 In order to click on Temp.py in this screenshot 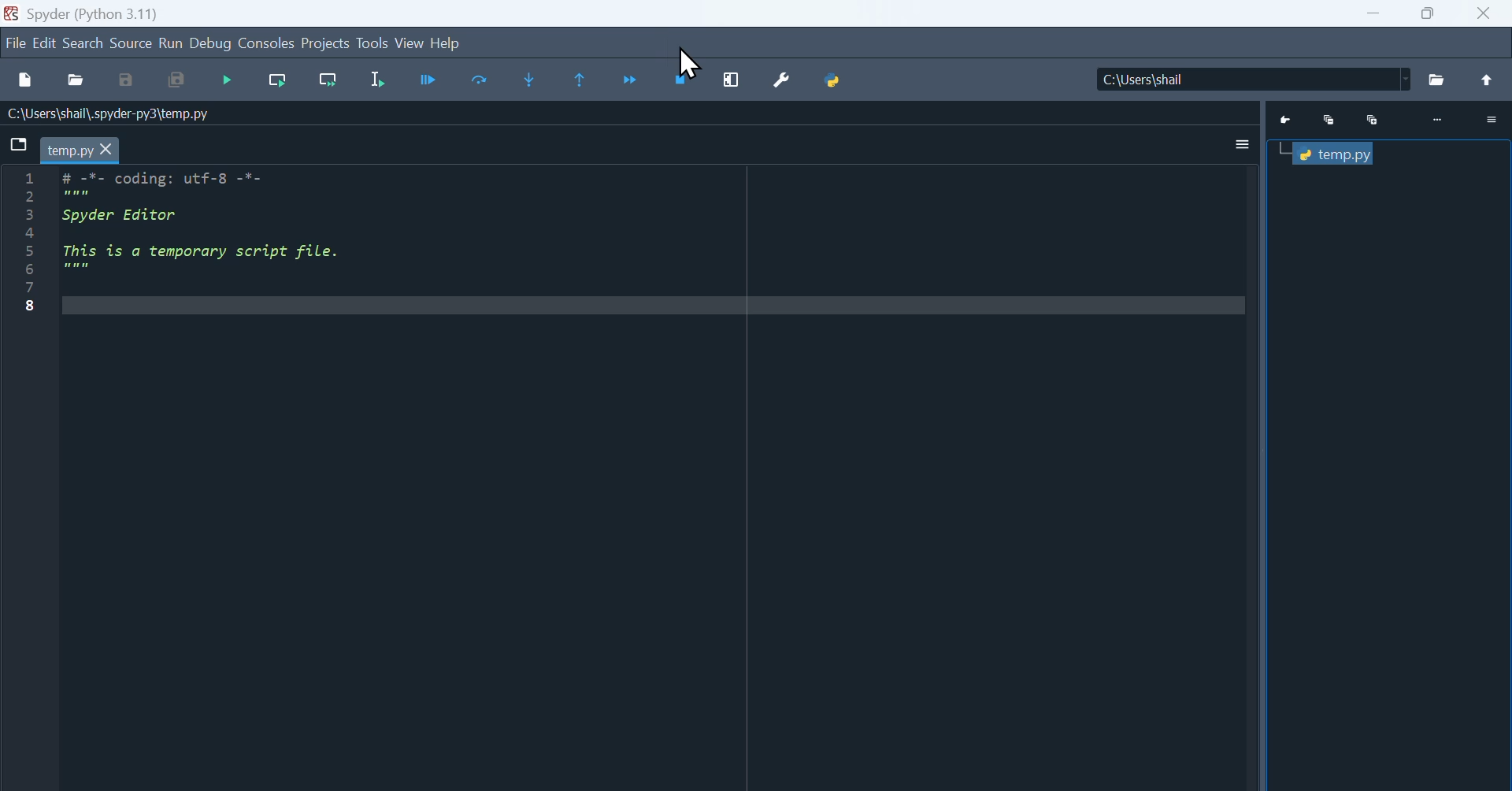, I will do `click(1339, 154)`.